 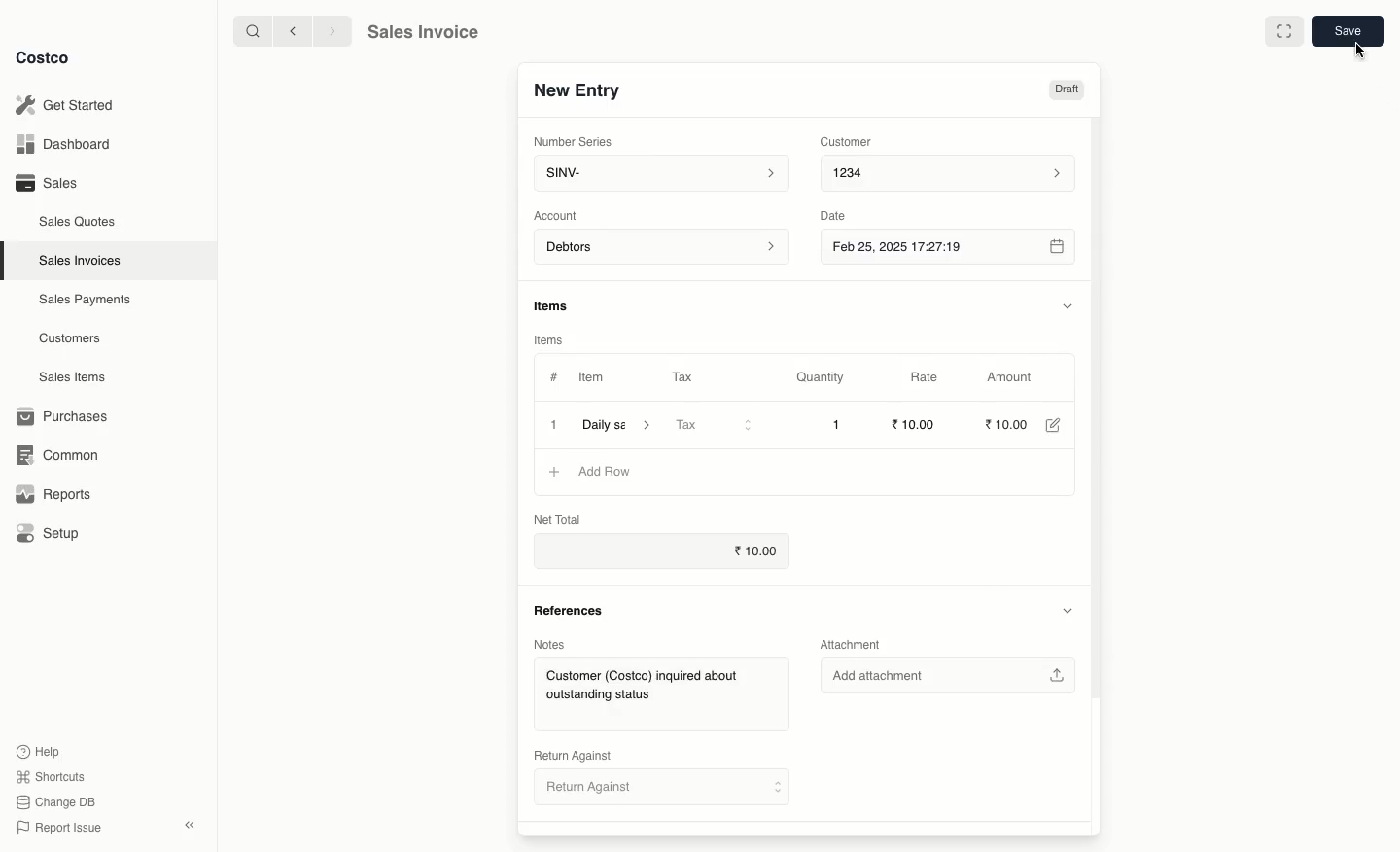 What do you see at coordinates (288, 33) in the screenshot?
I see `Back` at bounding box center [288, 33].